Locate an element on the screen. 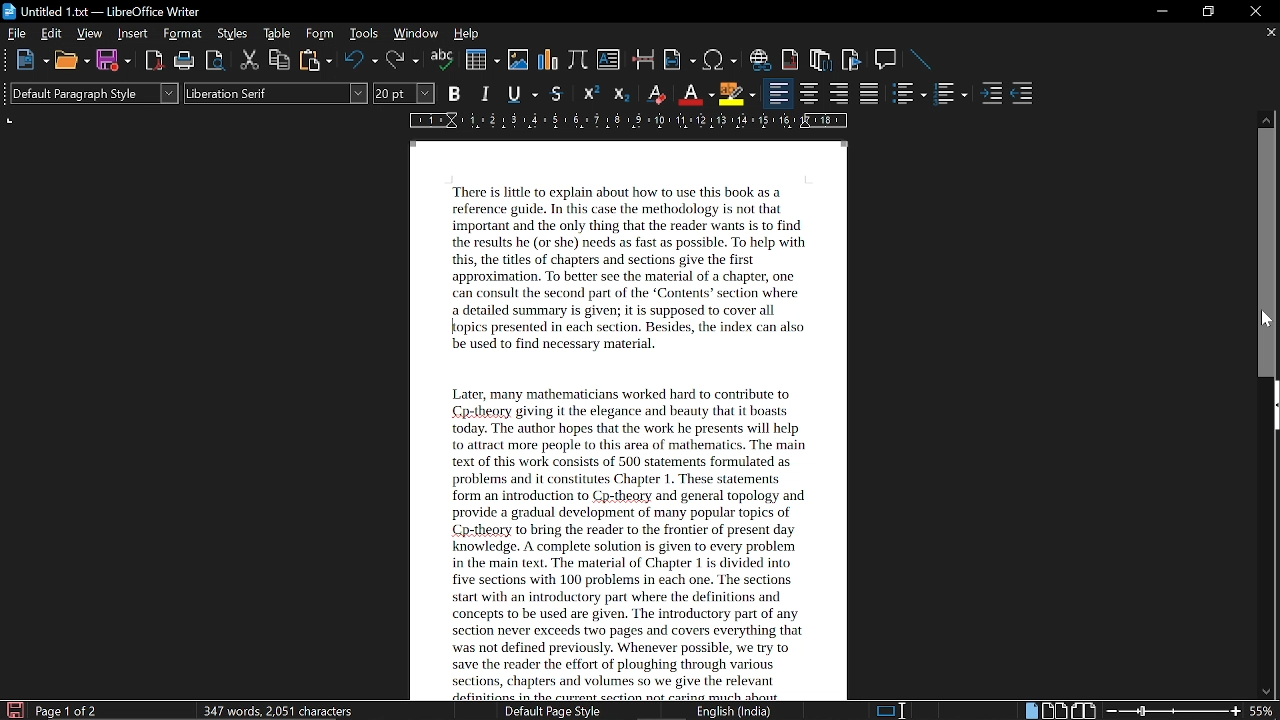 The width and height of the screenshot is (1280, 720). form is located at coordinates (321, 35).